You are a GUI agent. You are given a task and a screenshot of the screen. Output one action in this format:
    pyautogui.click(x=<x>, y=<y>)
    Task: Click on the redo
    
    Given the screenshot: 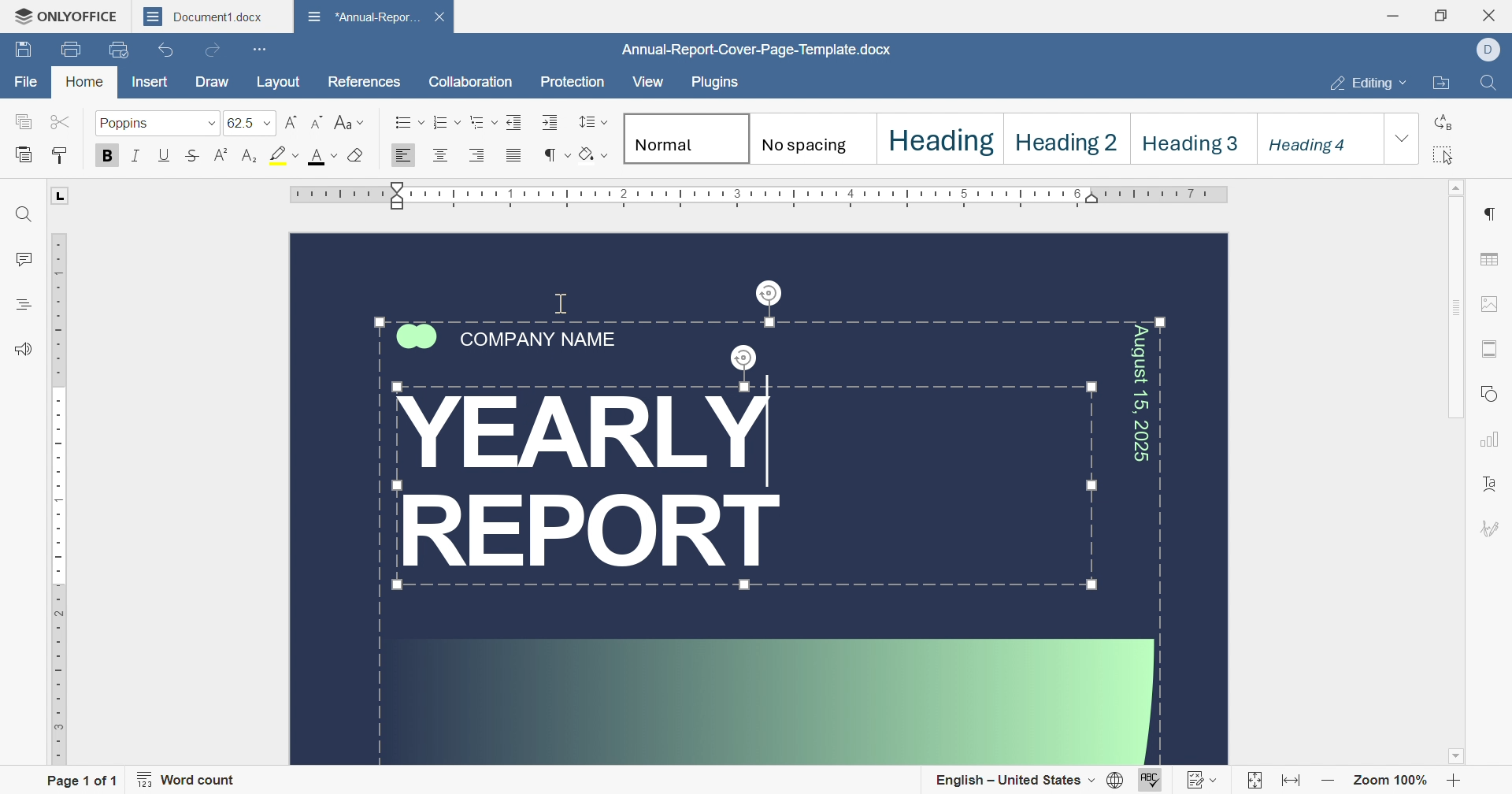 What is the action you would take?
    pyautogui.click(x=213, y=49)
    